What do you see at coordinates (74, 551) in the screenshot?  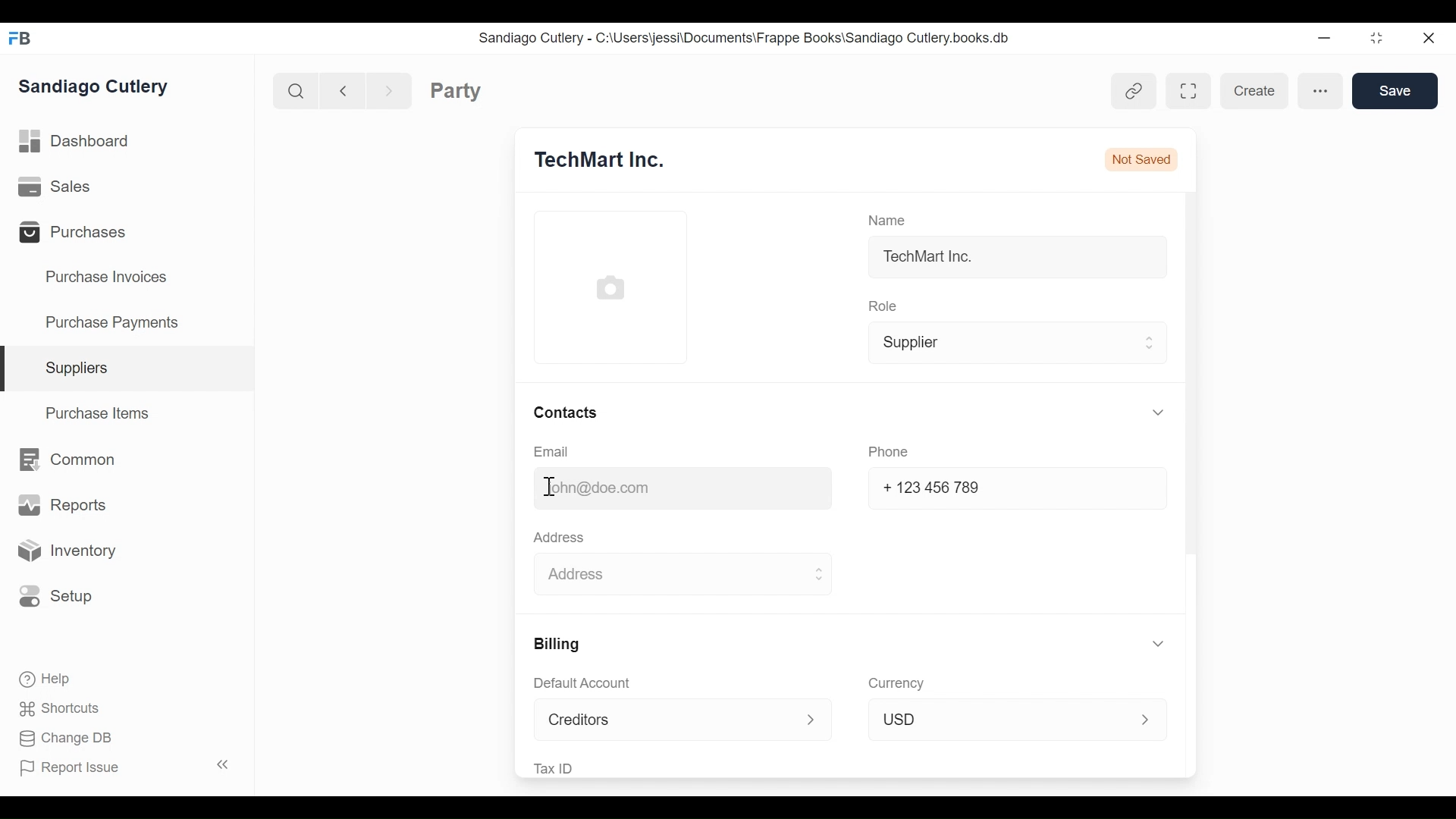 I see `Inventory` at bounding box center [74, 551].